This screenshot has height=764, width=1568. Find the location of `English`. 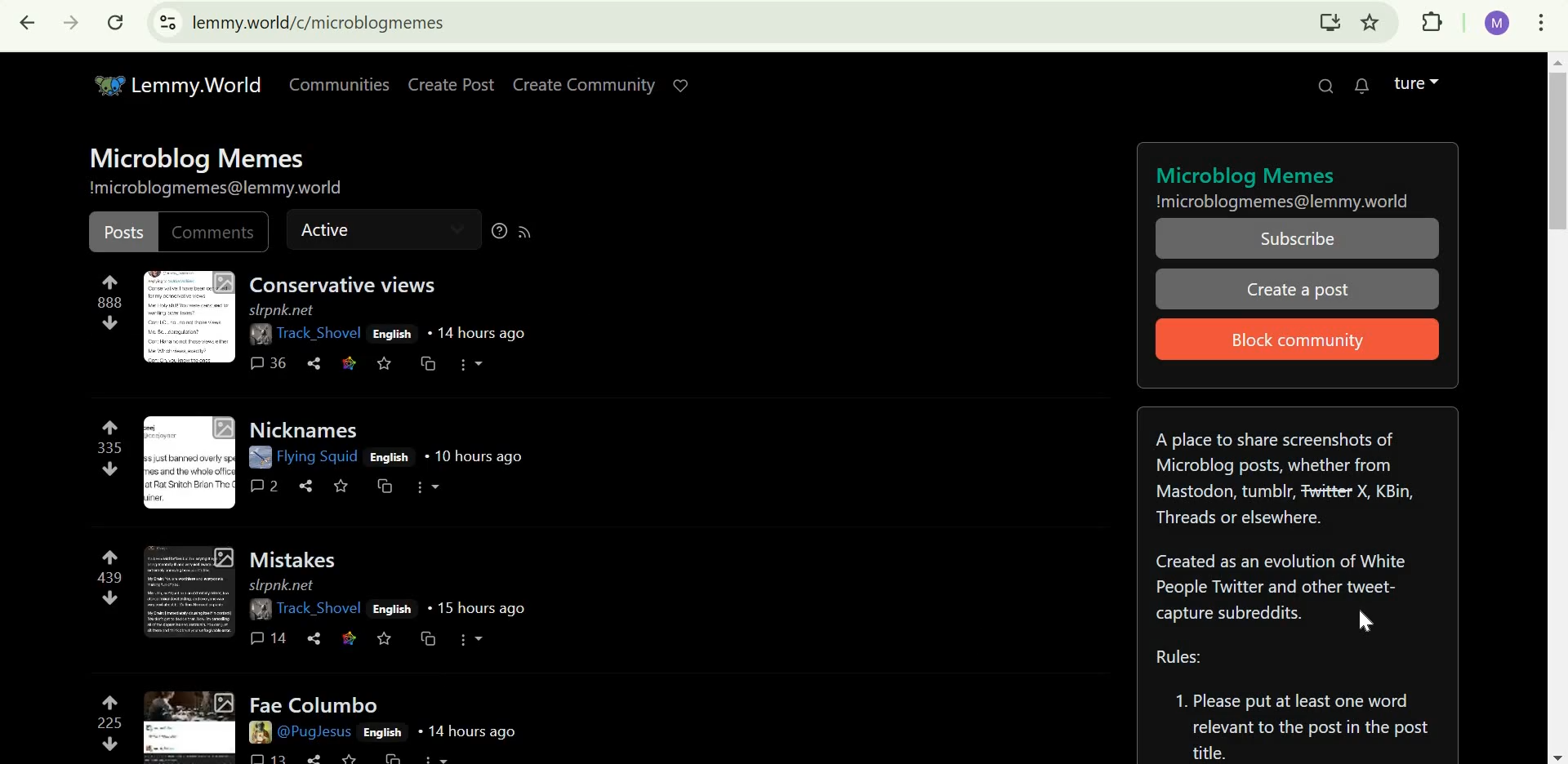

English is located at coordinates (393, 607).